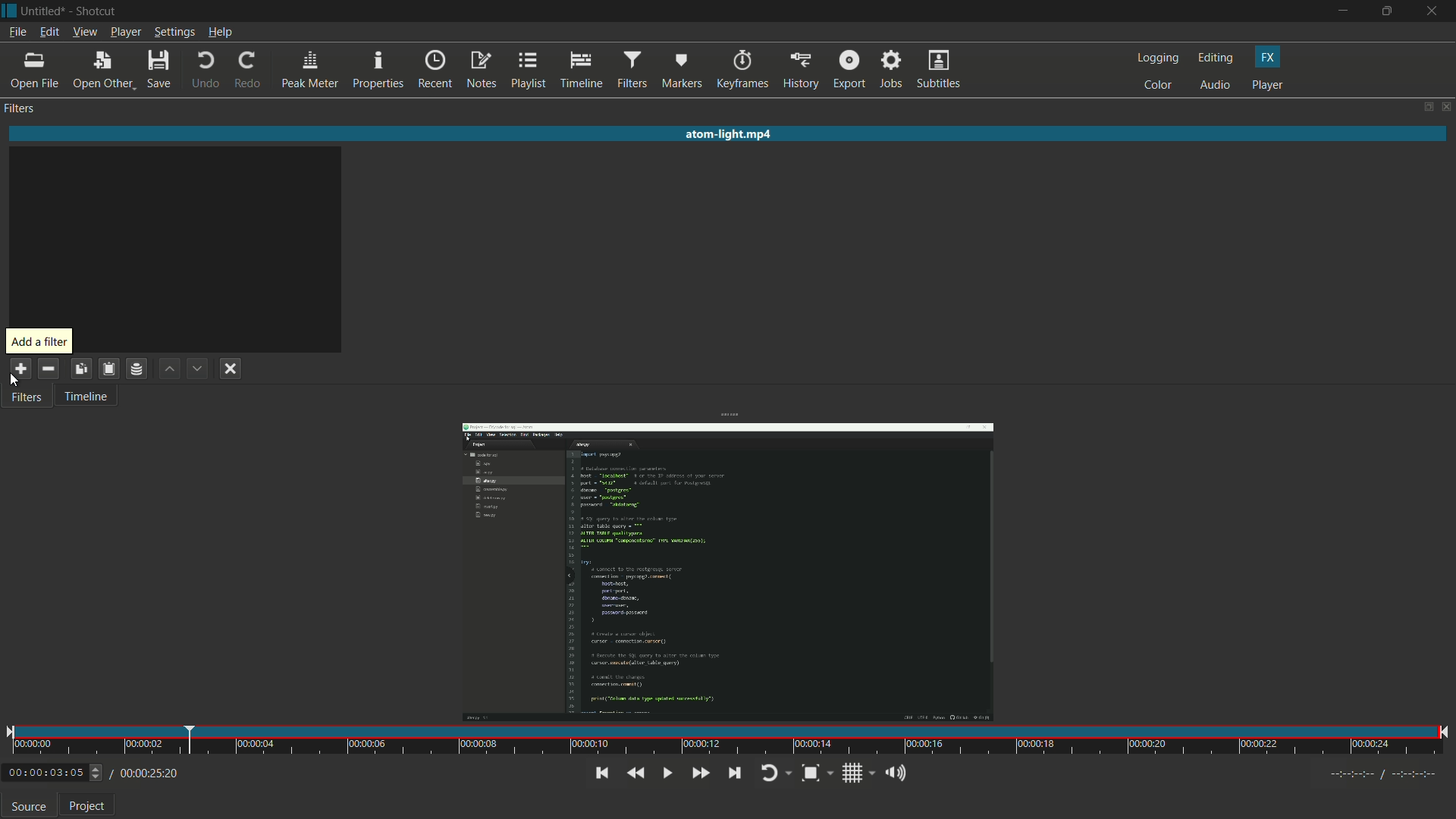  What do you see at coordinates (735, 773) in the screenshot?
I see `skip to the next point` at bounding box center [735, 773].